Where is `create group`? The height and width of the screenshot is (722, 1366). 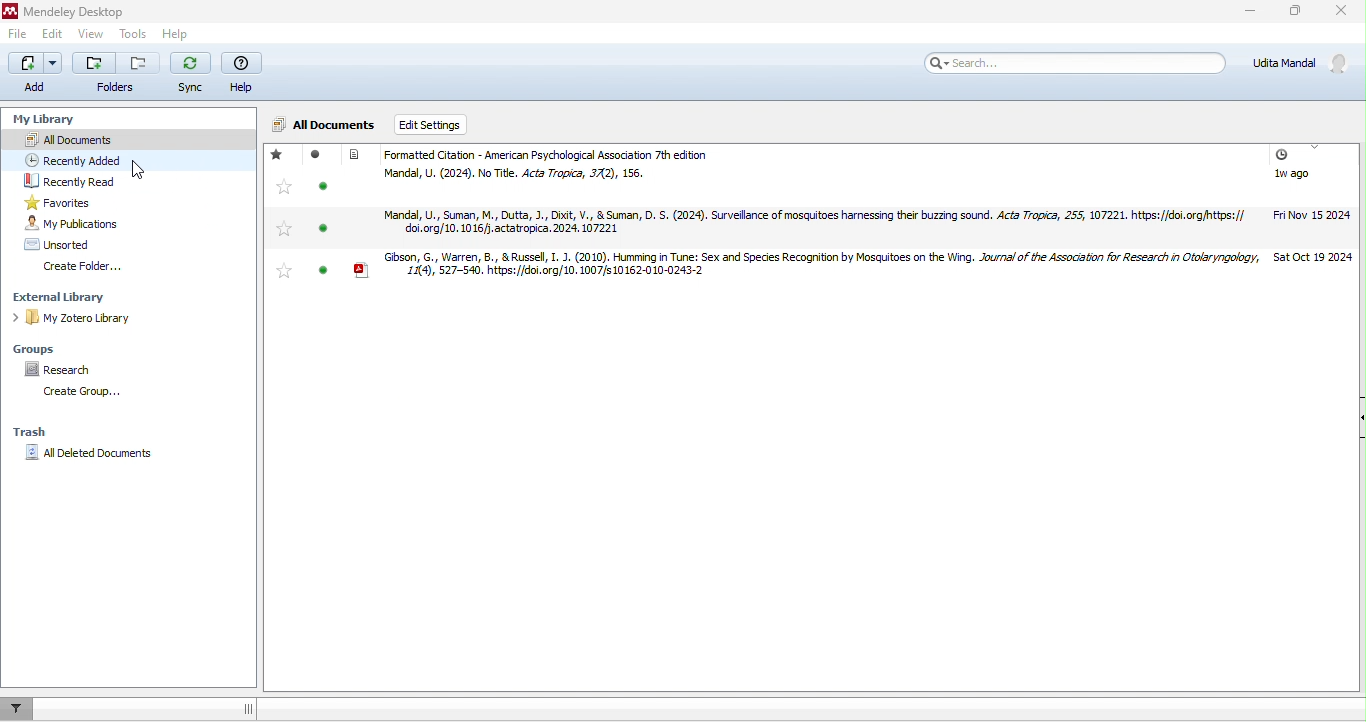 create group is located at coordinates (96, 395).